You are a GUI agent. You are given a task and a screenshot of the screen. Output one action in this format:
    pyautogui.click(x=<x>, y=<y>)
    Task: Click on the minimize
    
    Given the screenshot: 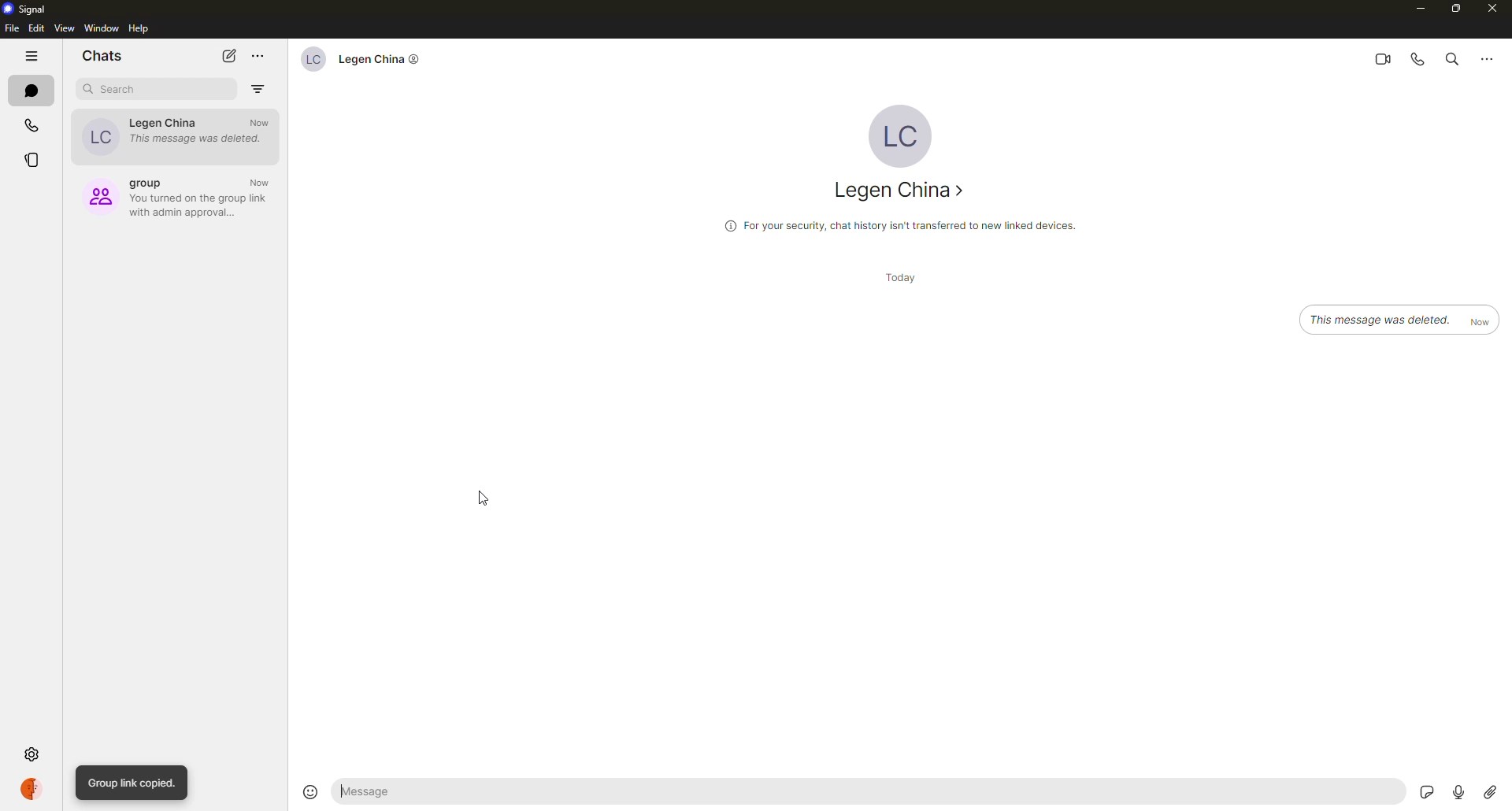 What is the action you would take?
    pyautogui.click(x=1413, y=8)
    